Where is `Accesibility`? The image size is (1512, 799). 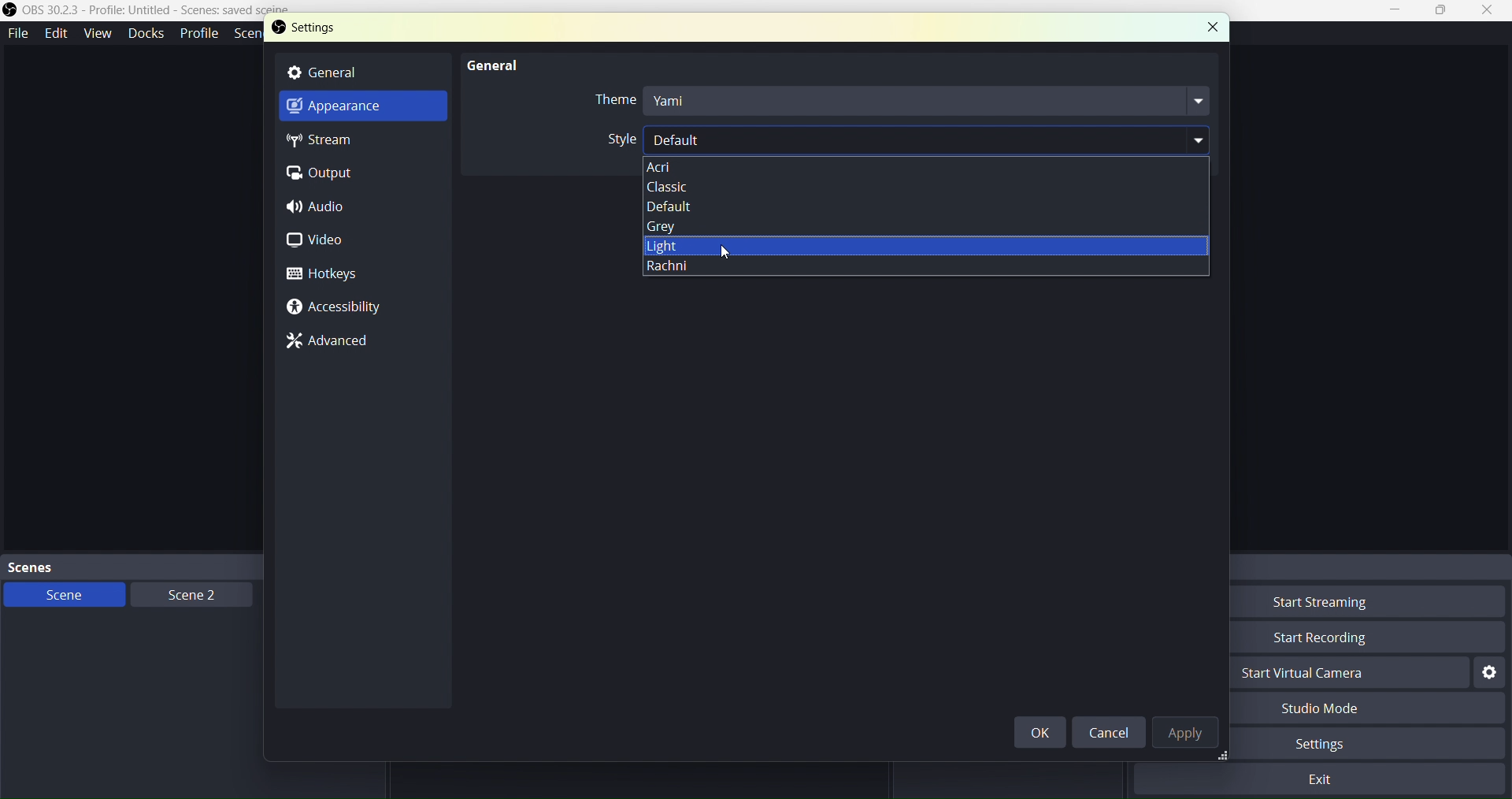 Accesibility is located at coordinates (335, 307).